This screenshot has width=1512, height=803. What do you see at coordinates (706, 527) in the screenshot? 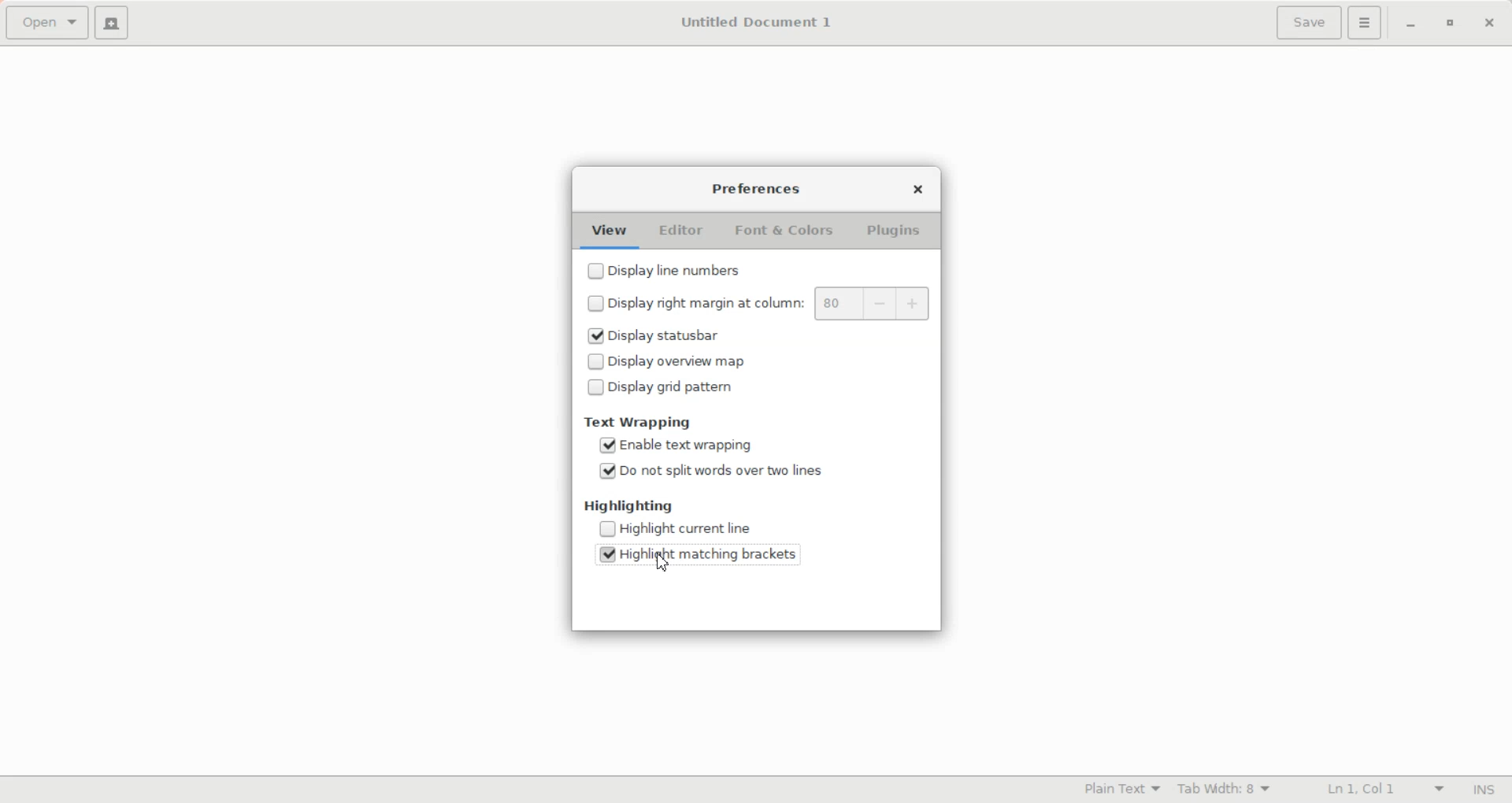
I see `(un)check Display Highlight current line` at bounding box center [706, 527].